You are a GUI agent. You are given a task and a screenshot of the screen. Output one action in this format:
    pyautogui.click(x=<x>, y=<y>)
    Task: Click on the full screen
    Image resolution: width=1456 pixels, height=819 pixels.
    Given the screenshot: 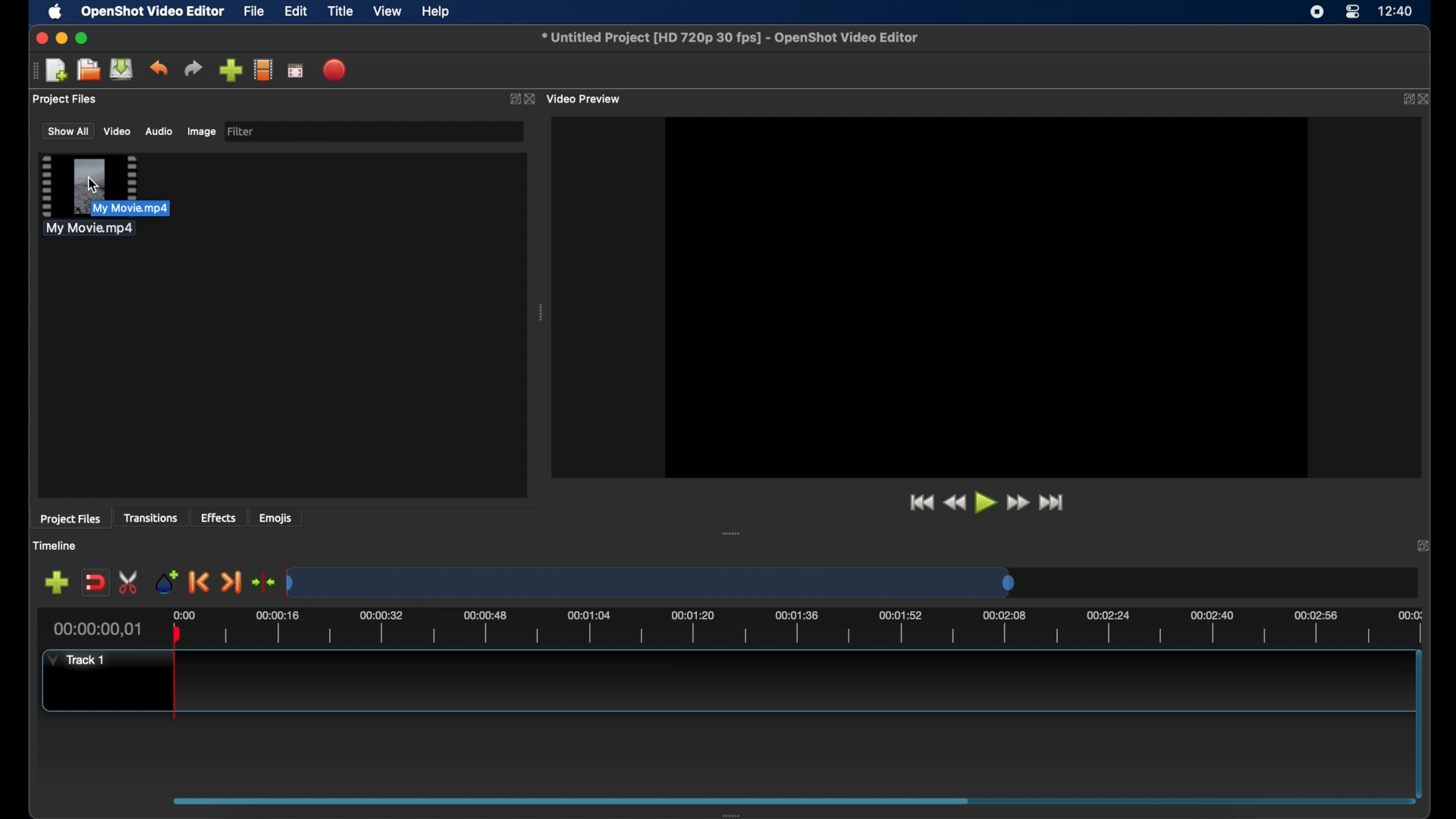 What is the action you would take?
    pyautogui.click(x=295, y=71)
    